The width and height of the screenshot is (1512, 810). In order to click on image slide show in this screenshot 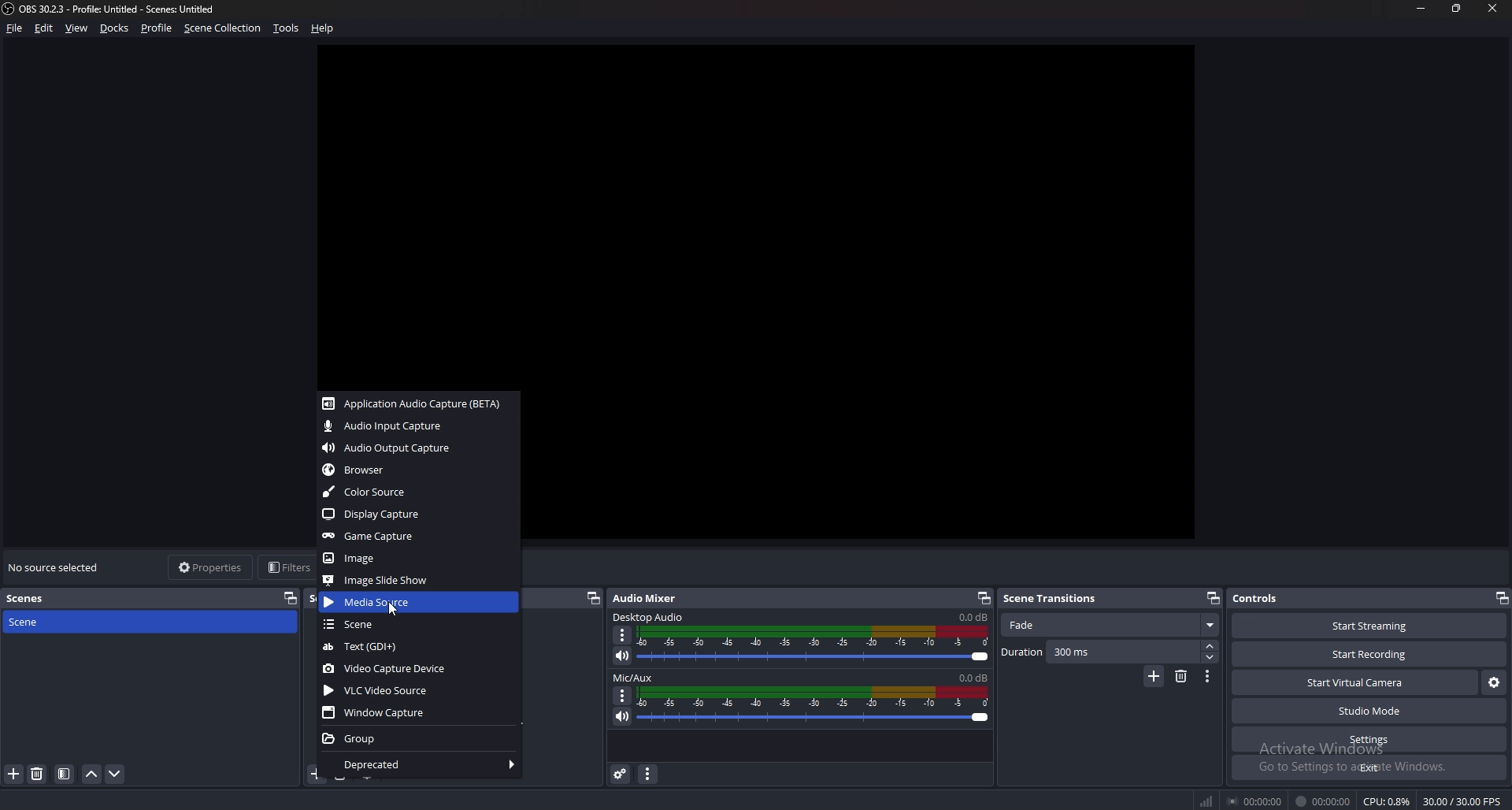, I will do `click(417, 580)`.